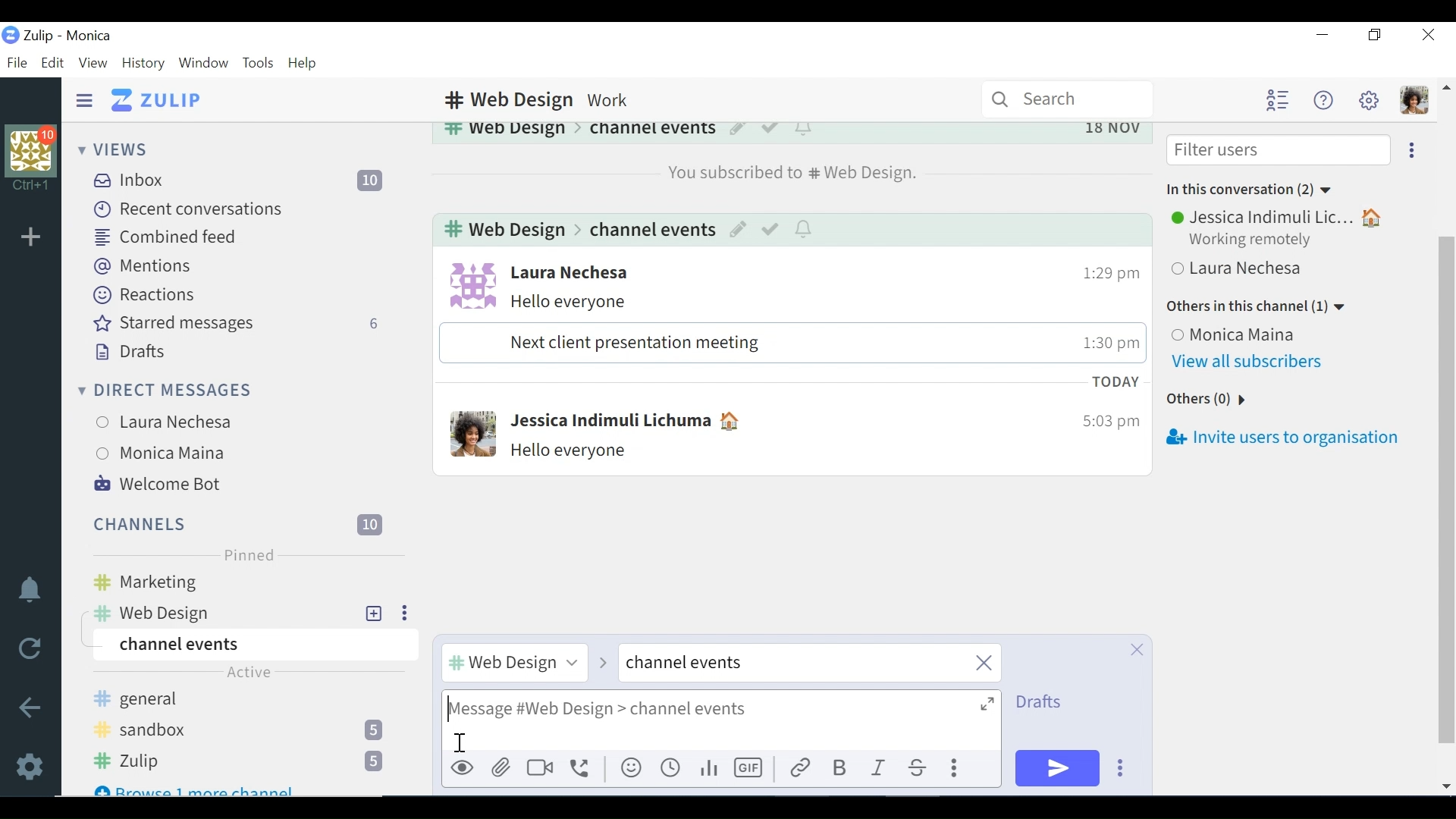 The height and width of the screenshot is (819, 1456). What do you see at coordinates (29, 648) in the screenshot?
I see `Reload` at bounding box center [29, 648].